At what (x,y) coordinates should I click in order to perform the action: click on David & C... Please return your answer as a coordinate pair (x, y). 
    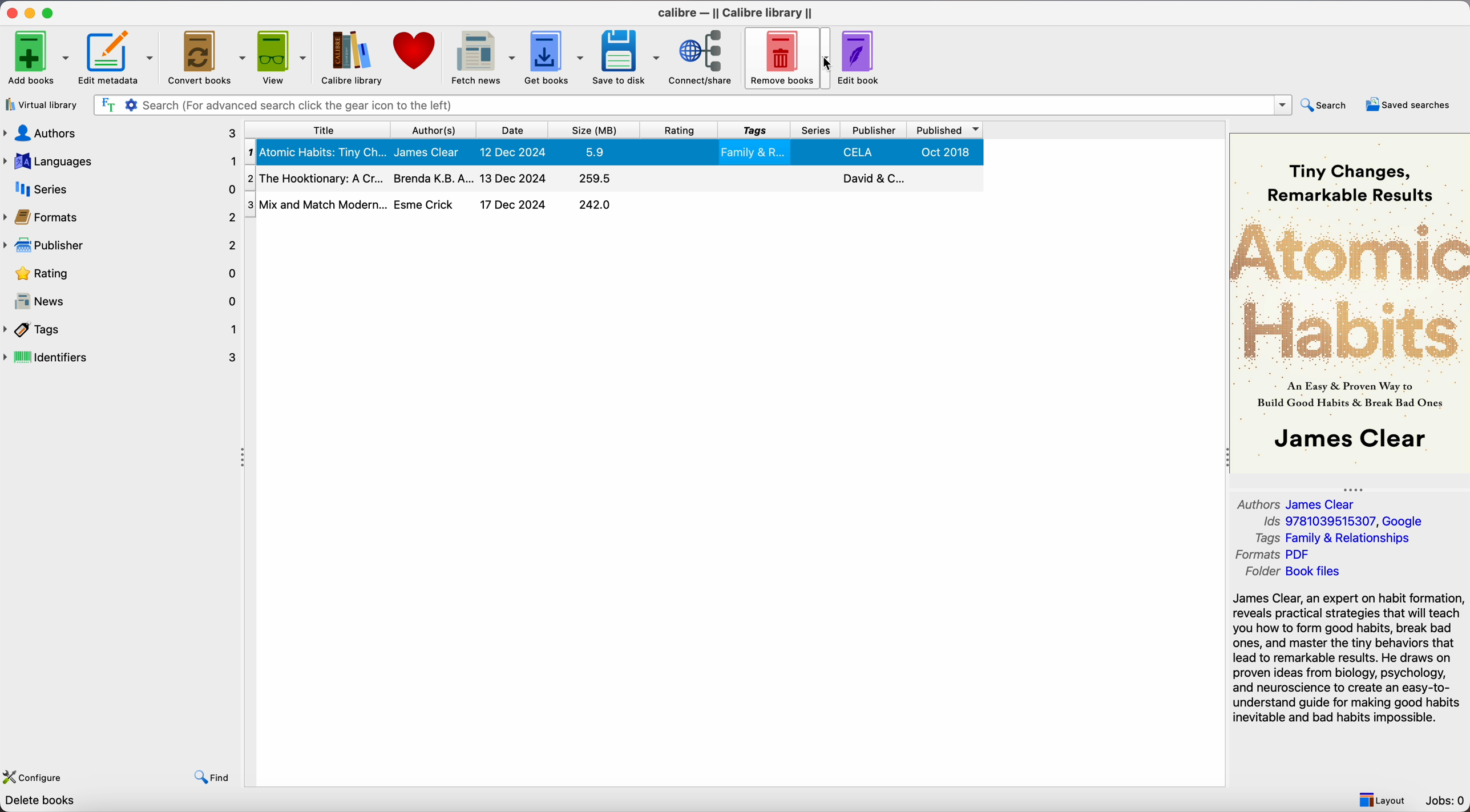
    Looking at the image, I should click on (871, 177).